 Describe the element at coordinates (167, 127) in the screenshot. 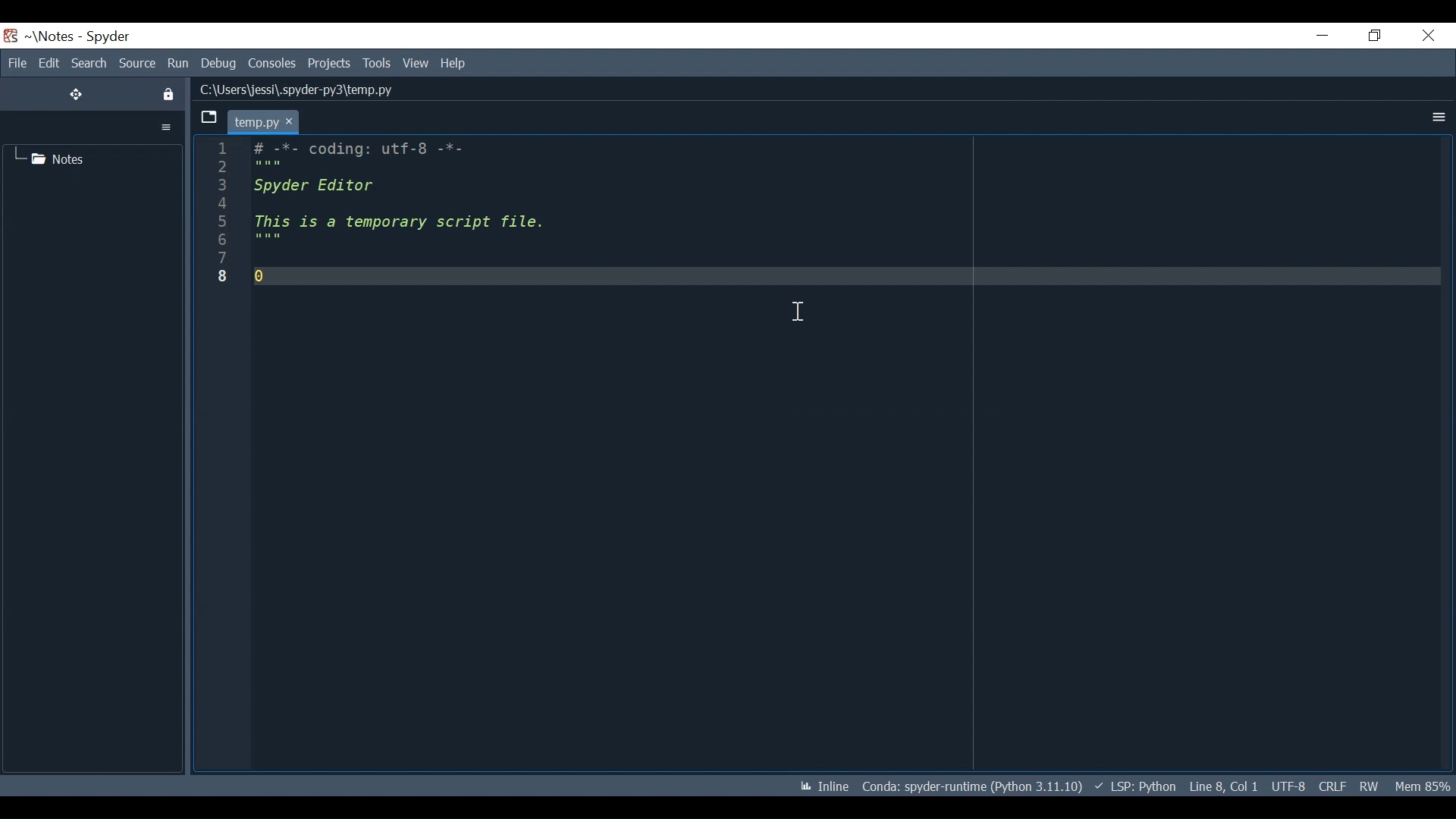

I see `More Options ` at that location.